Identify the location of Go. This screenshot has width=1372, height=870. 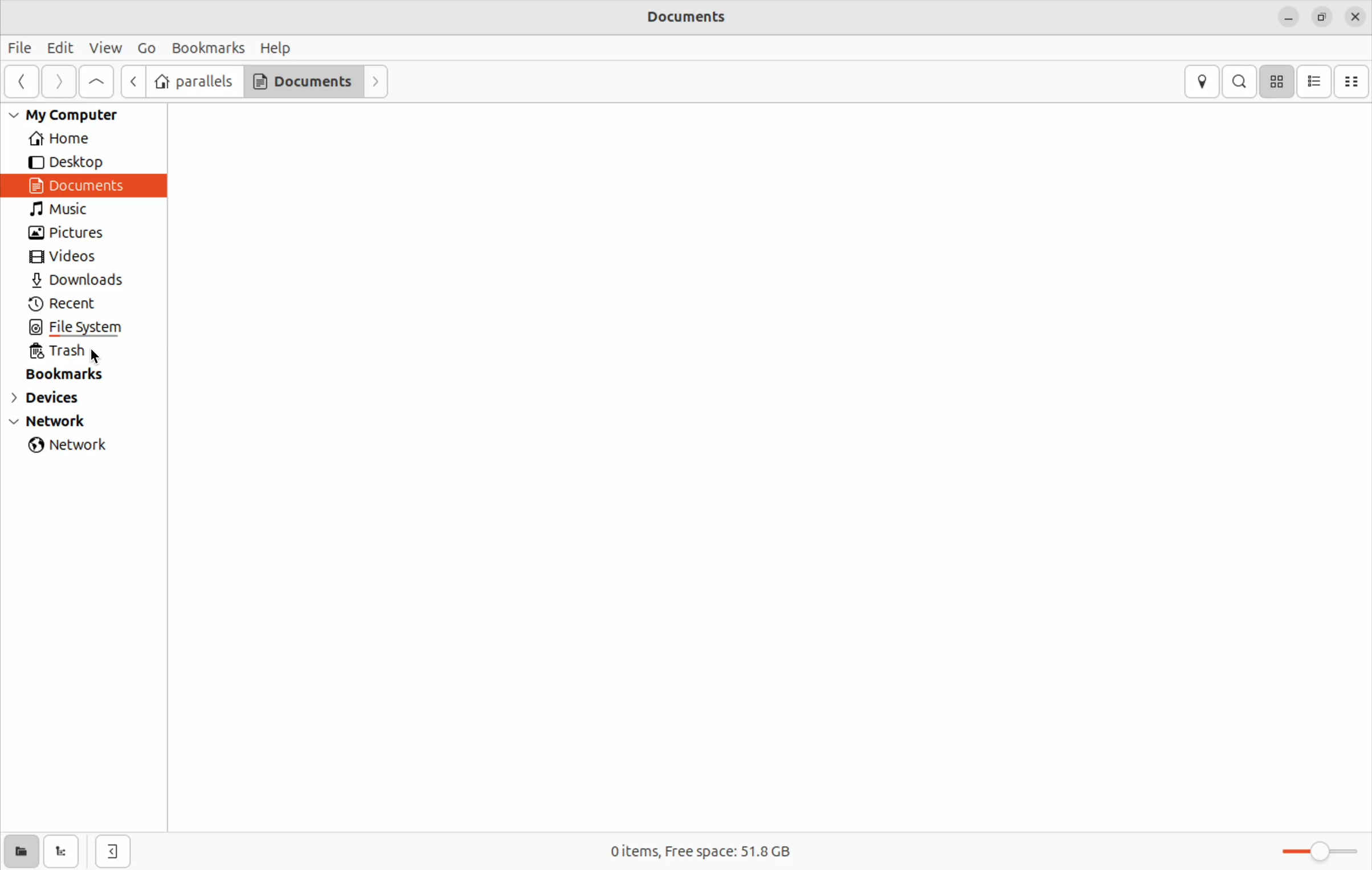
(146, 47).